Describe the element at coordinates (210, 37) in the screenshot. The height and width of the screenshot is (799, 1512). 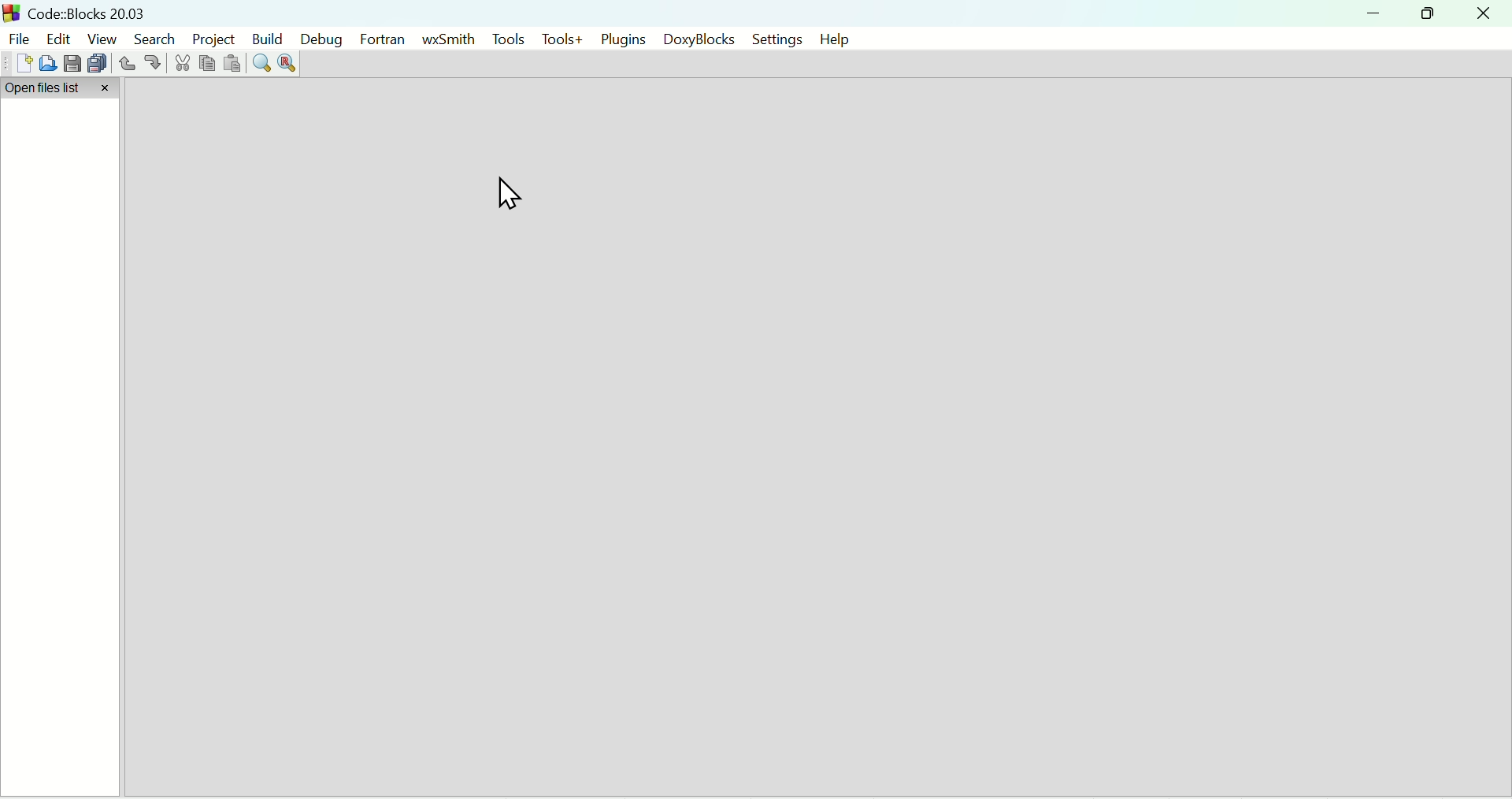
I see `Project` at that location.